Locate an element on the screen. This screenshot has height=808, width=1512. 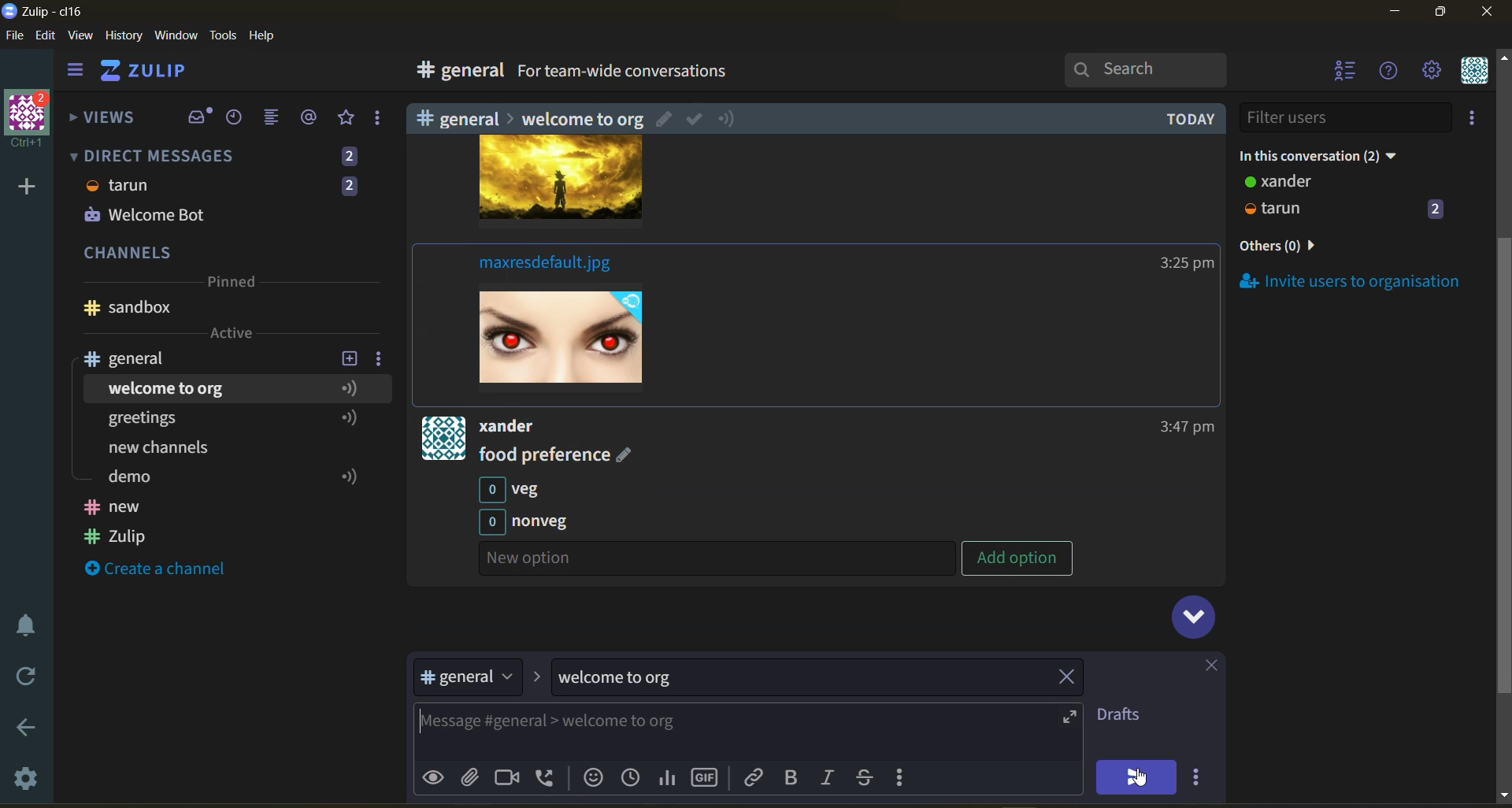
add video call is located at coordinates (511, 780).